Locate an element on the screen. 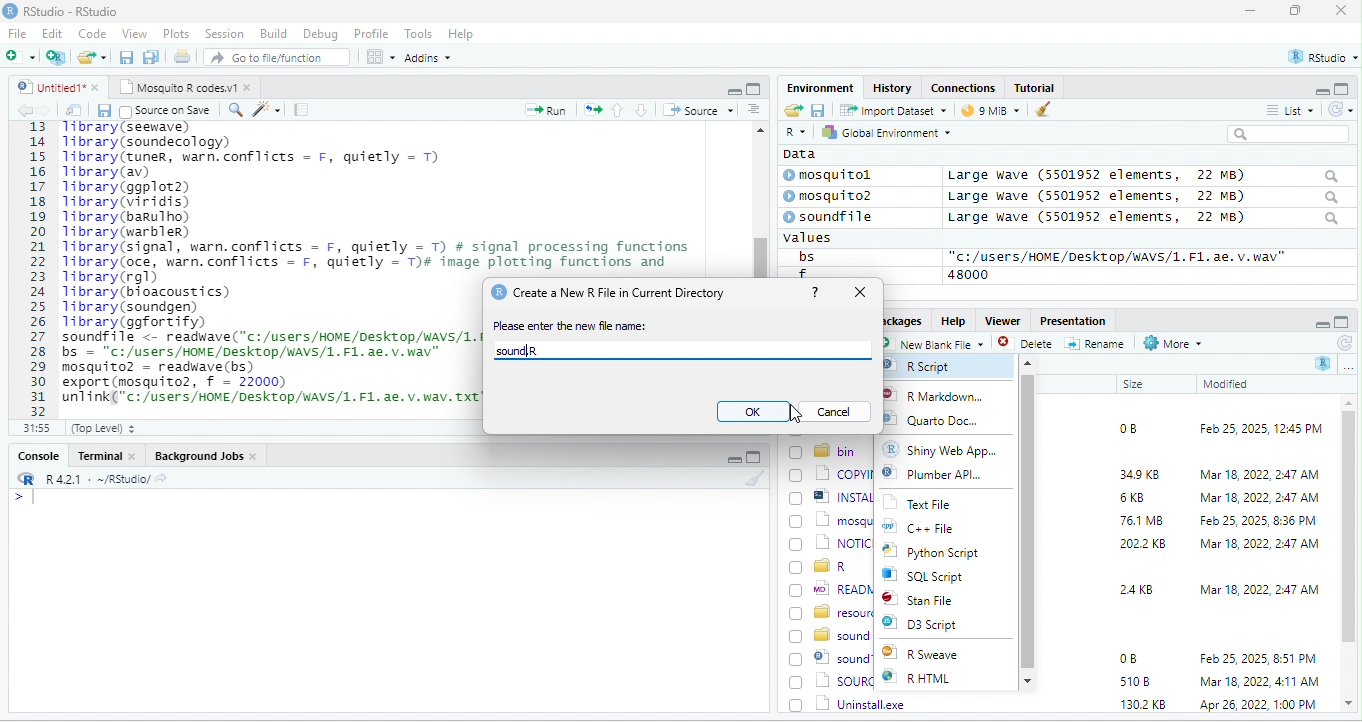  ” Go to file/function is located at coordinates (278, 59).